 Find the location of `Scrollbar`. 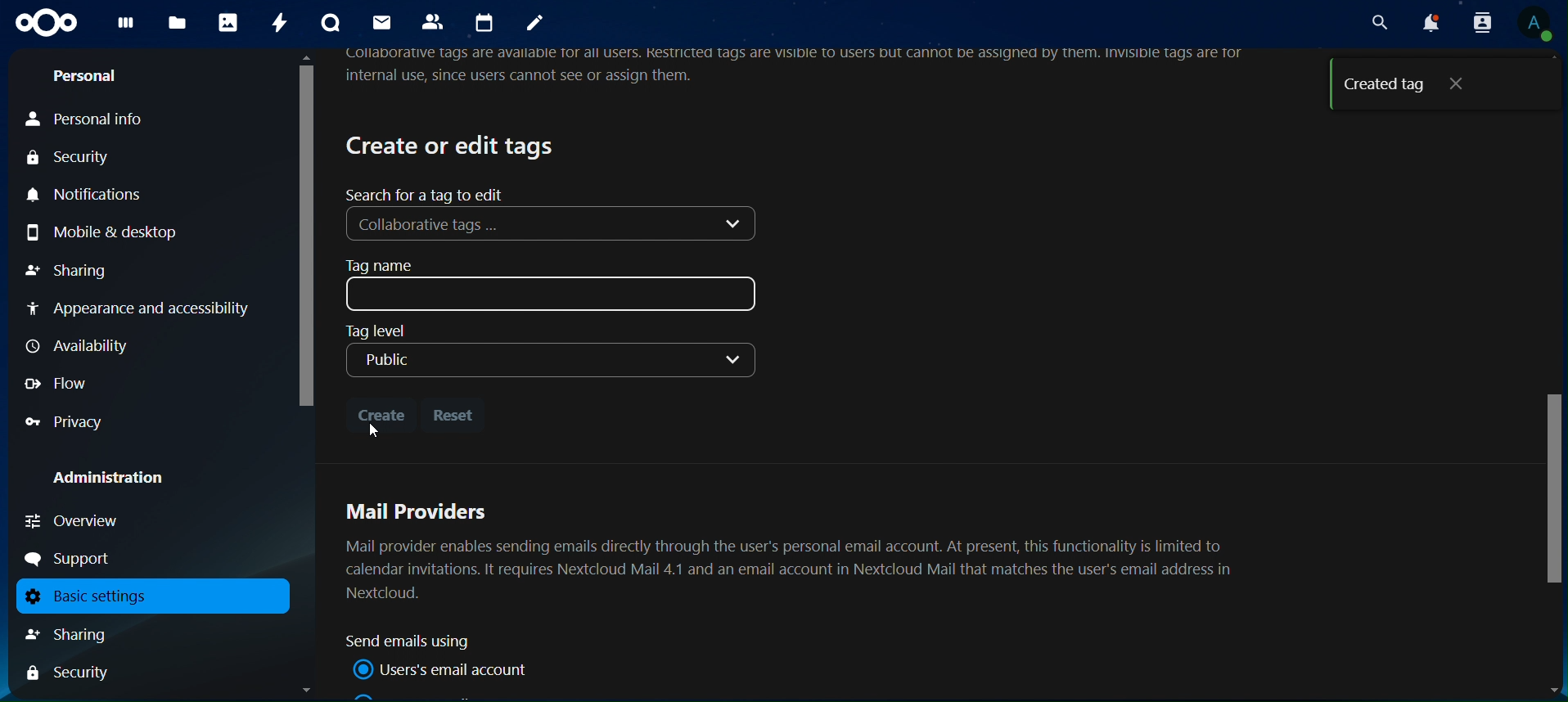

Scrollbar is located at coordinates (1551, 376).